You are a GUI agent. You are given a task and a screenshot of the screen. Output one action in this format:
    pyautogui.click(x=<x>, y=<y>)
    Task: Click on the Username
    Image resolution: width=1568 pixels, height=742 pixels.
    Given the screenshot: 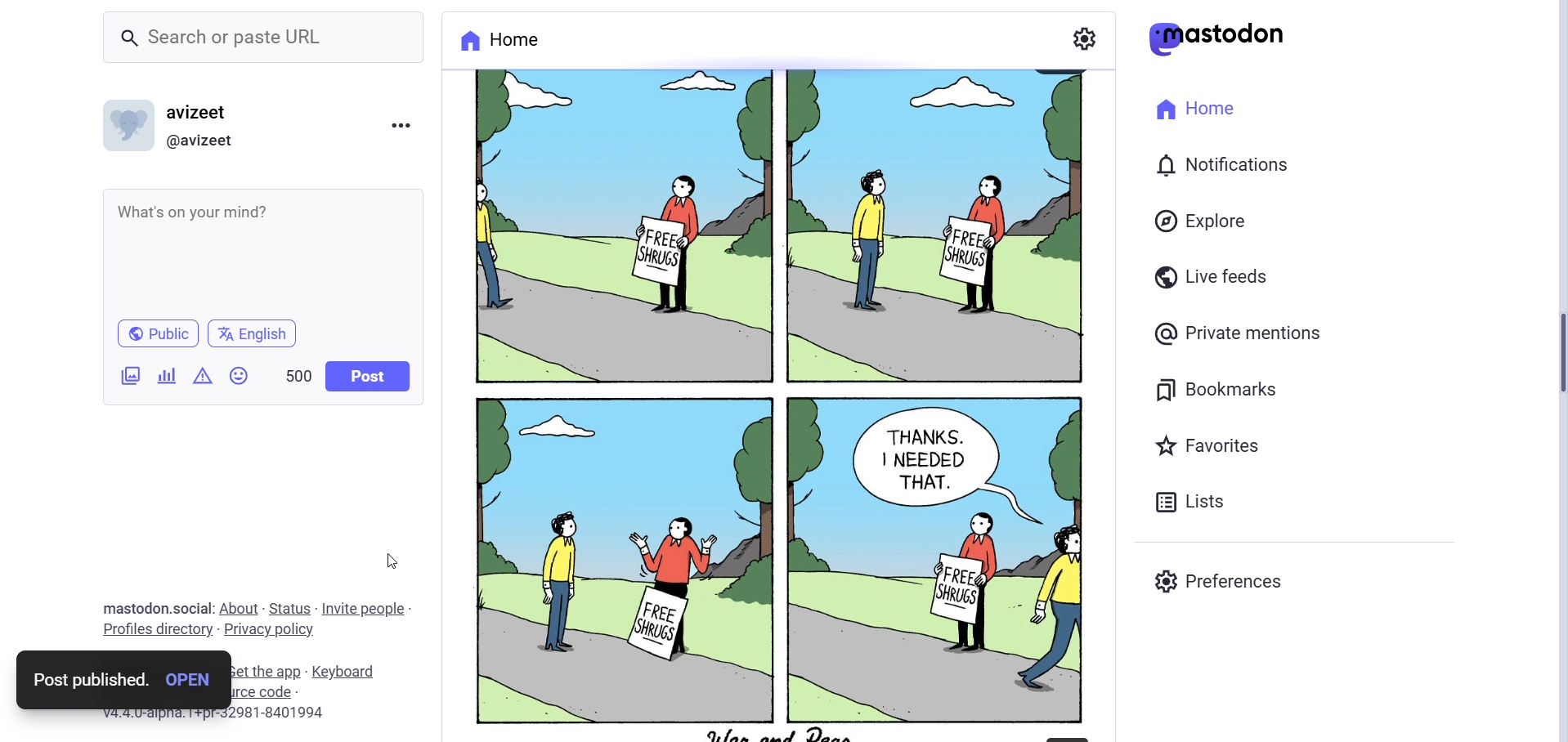 What is the action you would take?
    pyautogui.click(x=206, y=110)
    